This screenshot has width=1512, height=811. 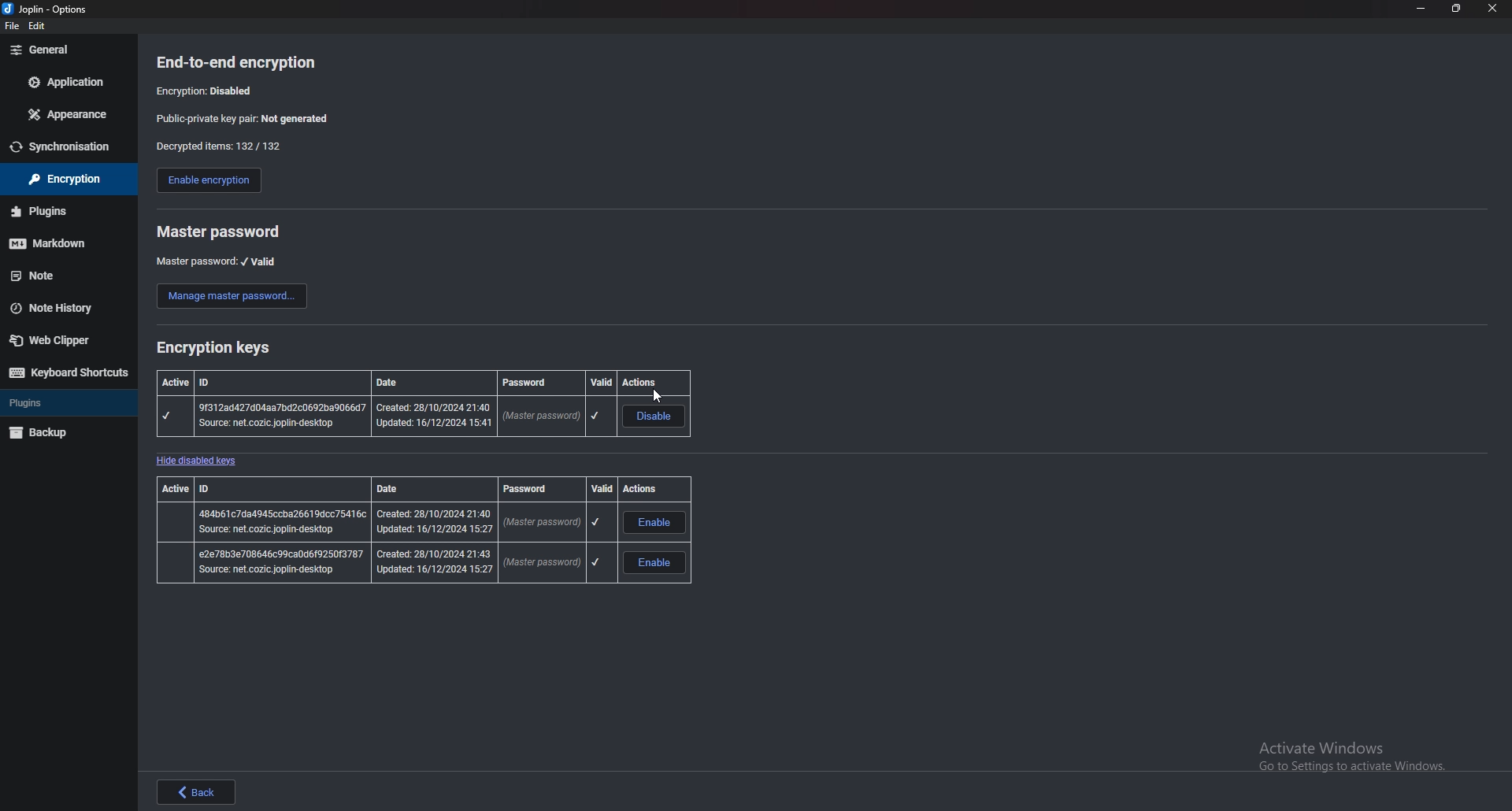 I want to click on id, so click(x=265, y=488).